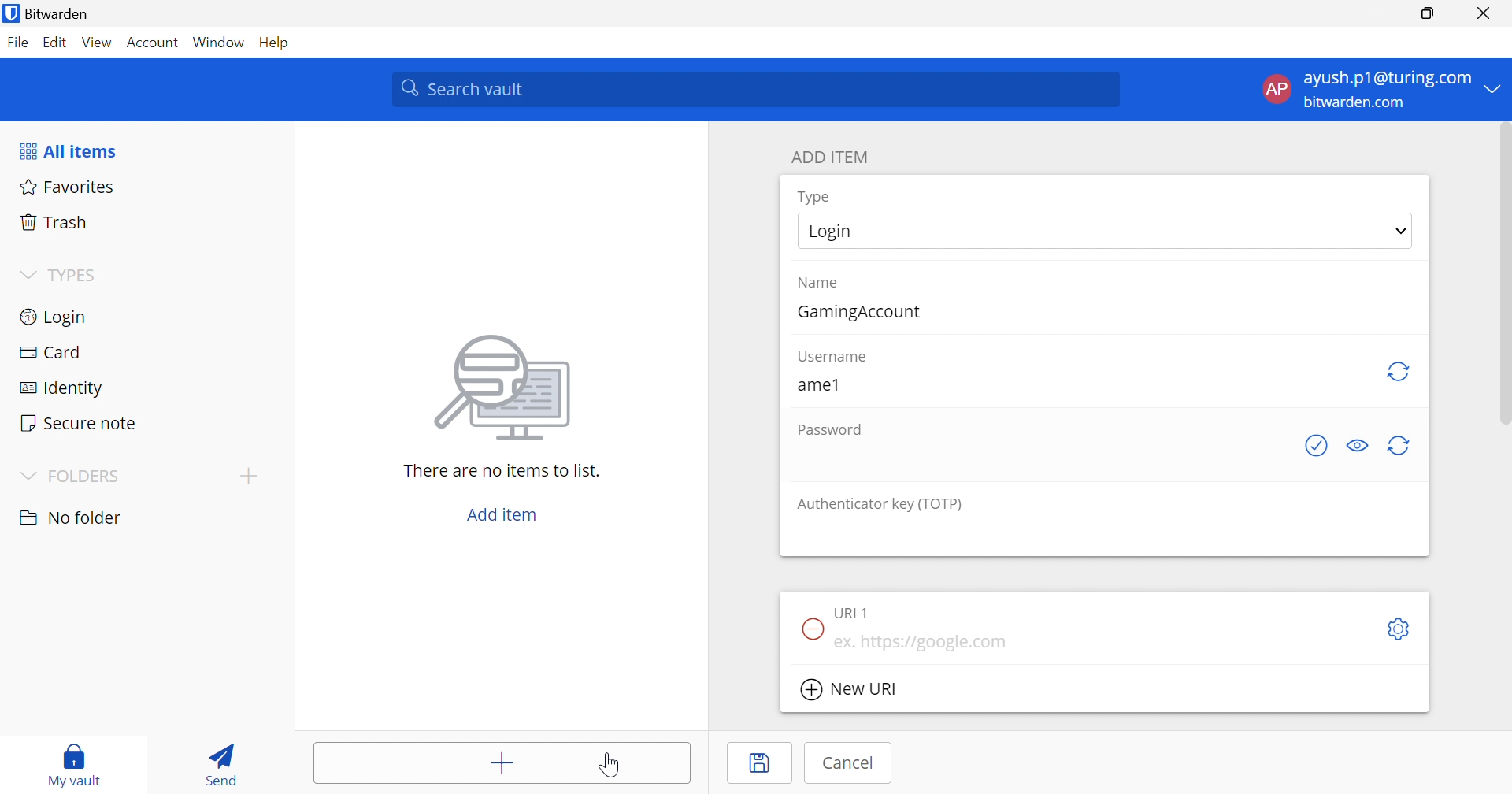  I want to click on Add items, so click(499, 763).